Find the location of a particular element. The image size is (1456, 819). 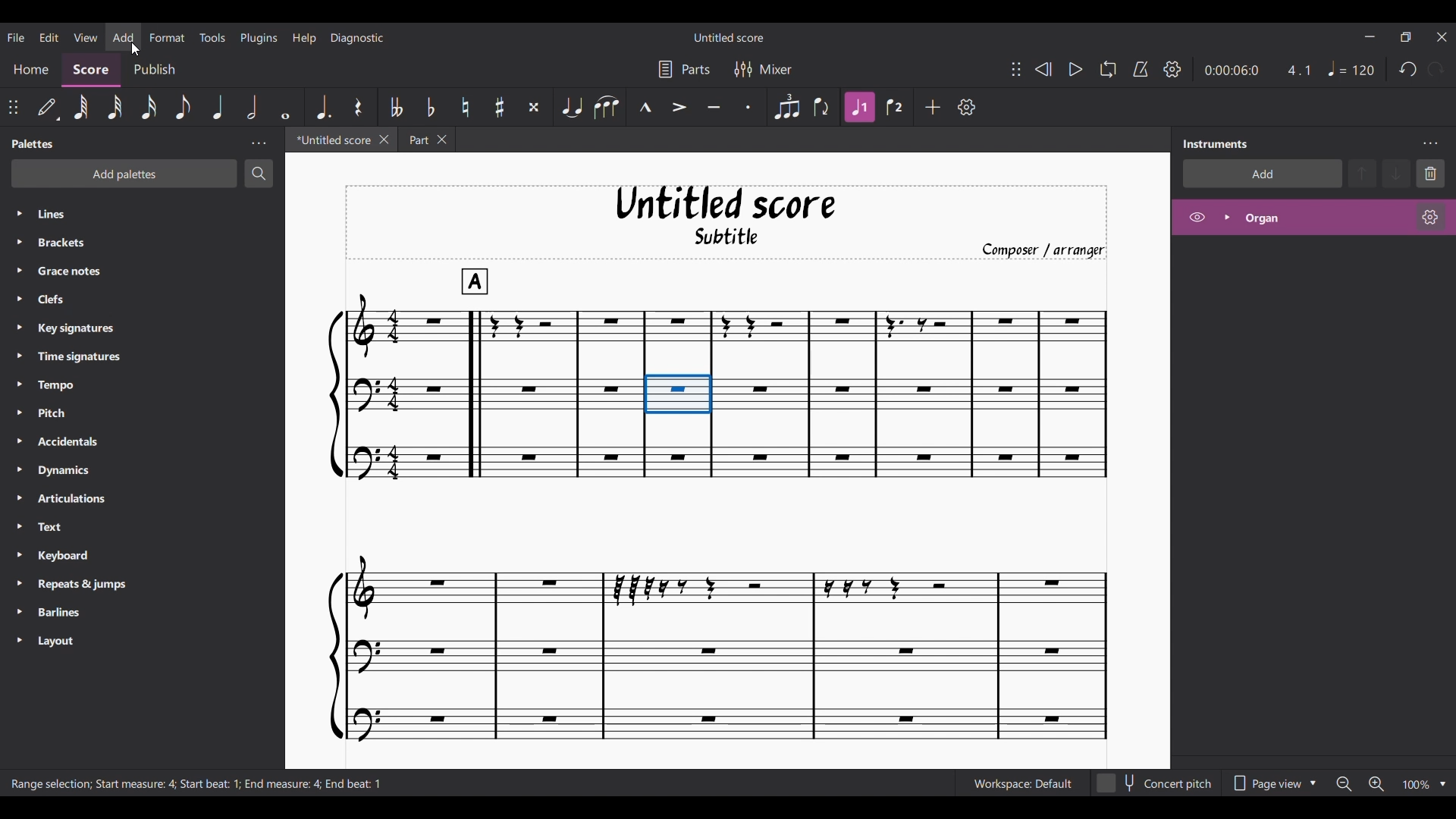

Part tab is located at coordinates (417, 140).